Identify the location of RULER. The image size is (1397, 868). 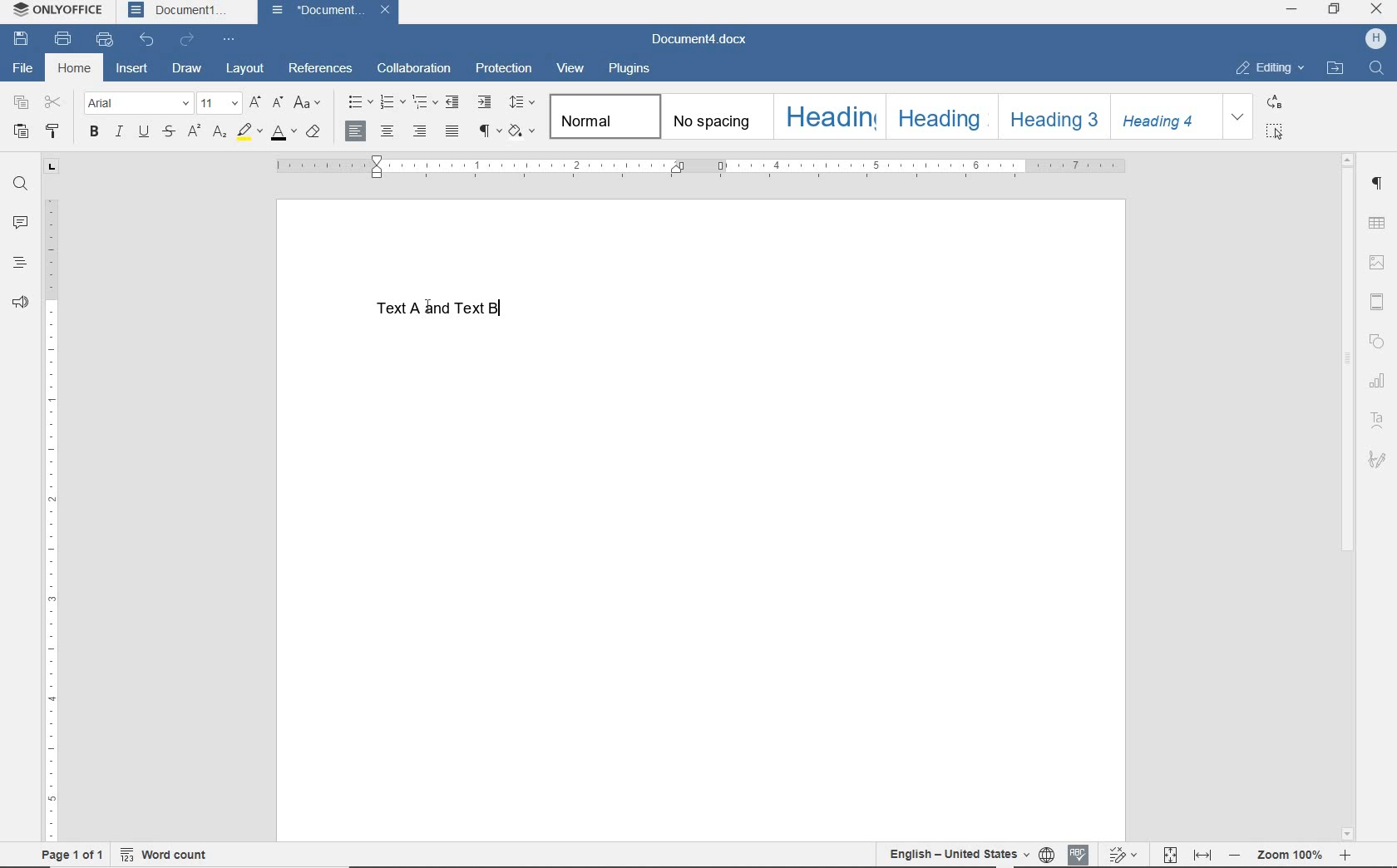
(699, 165).